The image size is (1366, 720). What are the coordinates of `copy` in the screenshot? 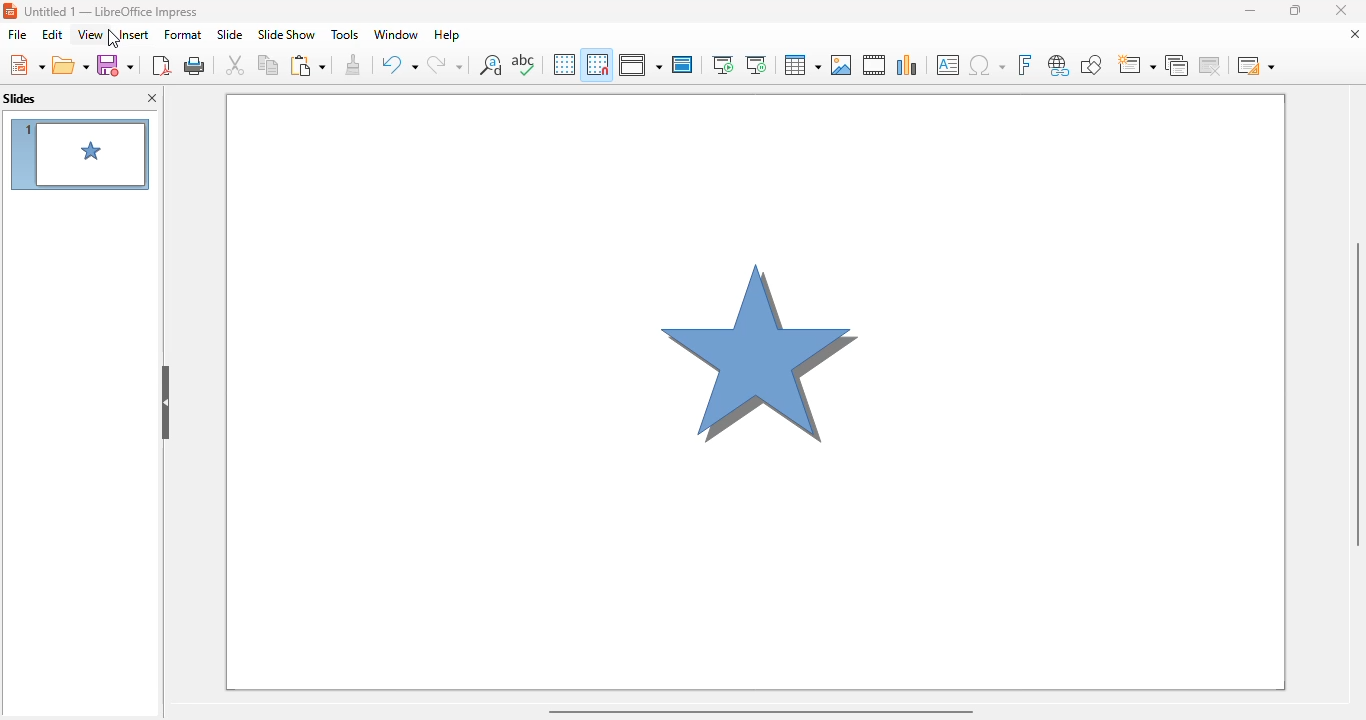 It's located at (268, 64).